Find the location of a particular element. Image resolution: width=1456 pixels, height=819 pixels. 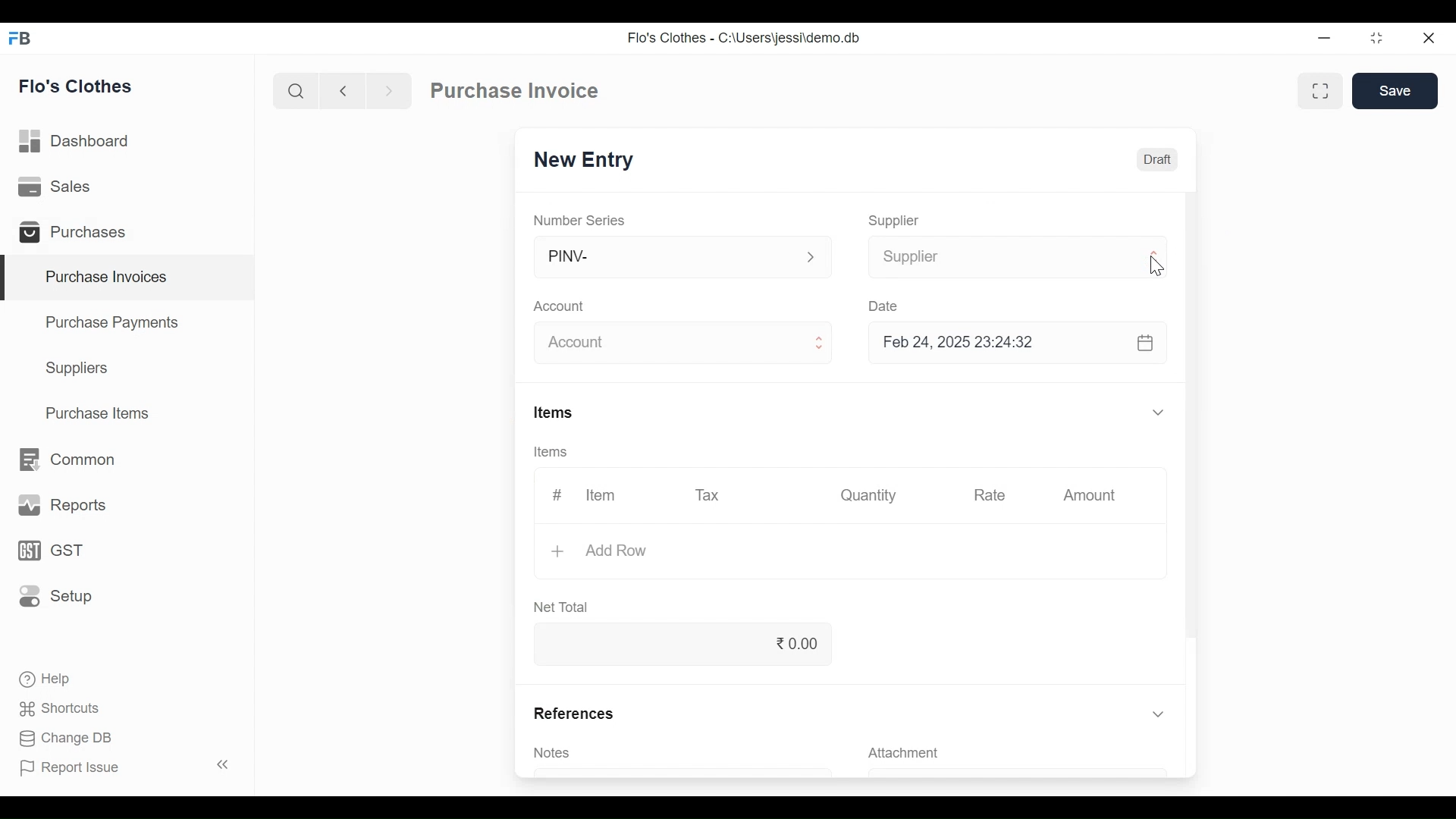

Reports is located at coordinates (59, 504).